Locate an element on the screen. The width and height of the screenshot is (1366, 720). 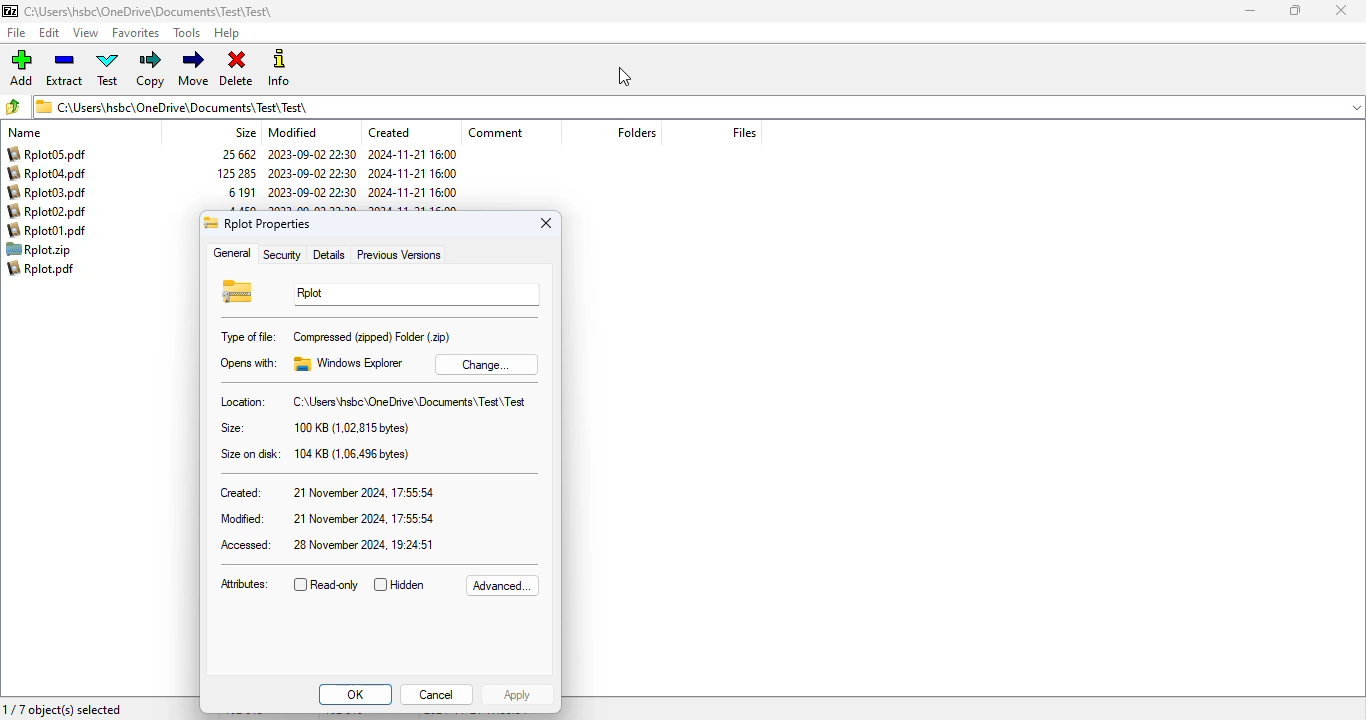
edit is located at coordinates (50, 33).